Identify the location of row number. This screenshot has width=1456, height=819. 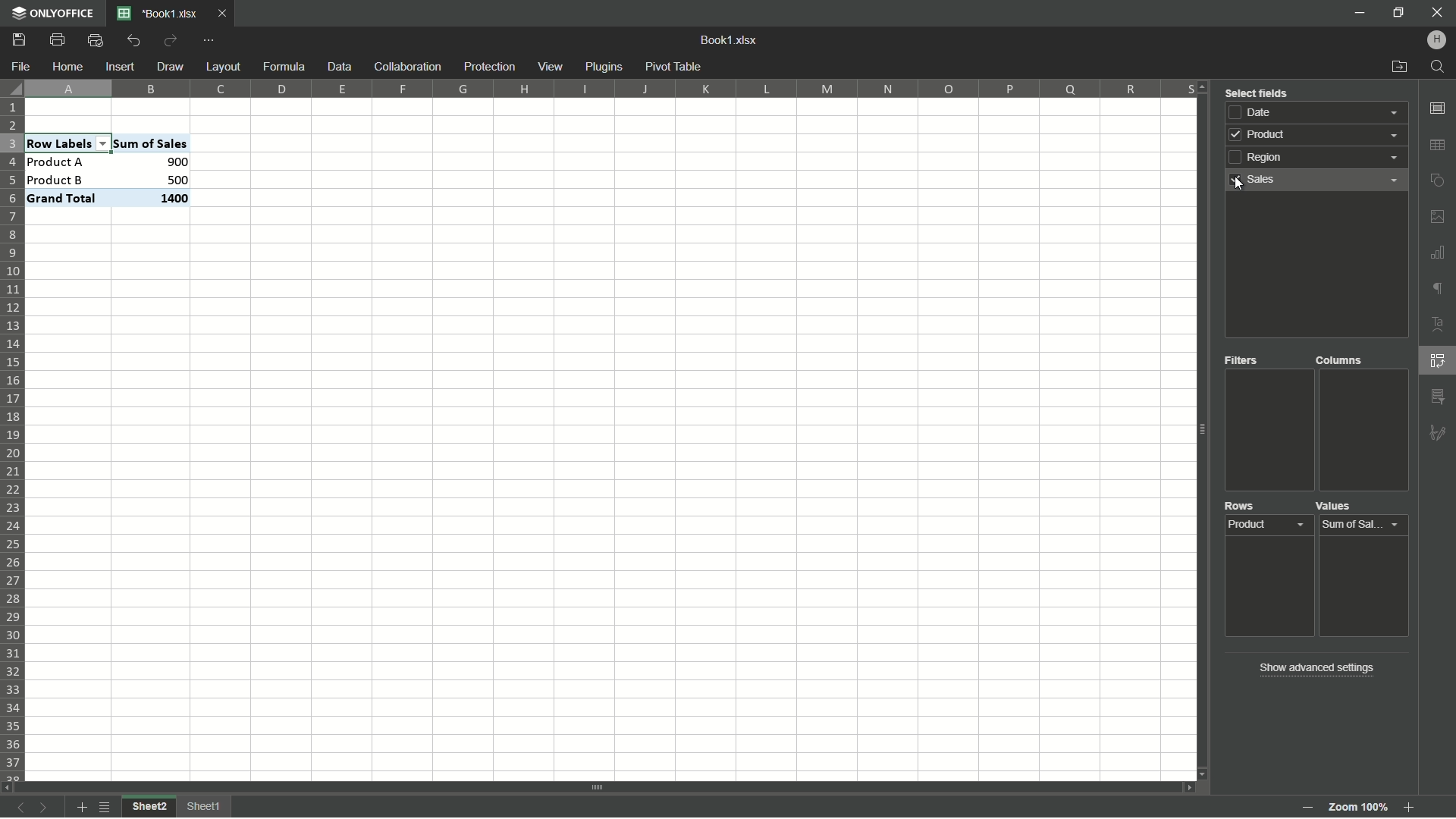
(14, 440).